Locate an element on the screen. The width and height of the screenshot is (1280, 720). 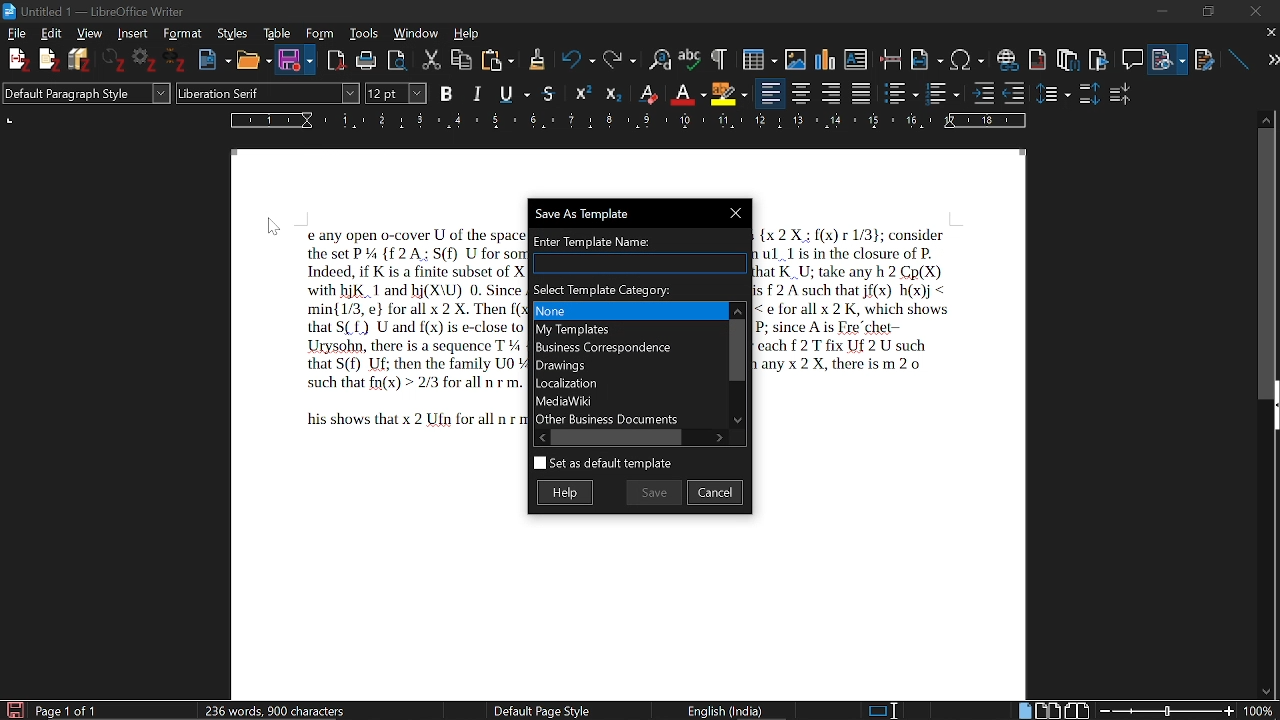
maximize is located at coordinates (1207, 10).